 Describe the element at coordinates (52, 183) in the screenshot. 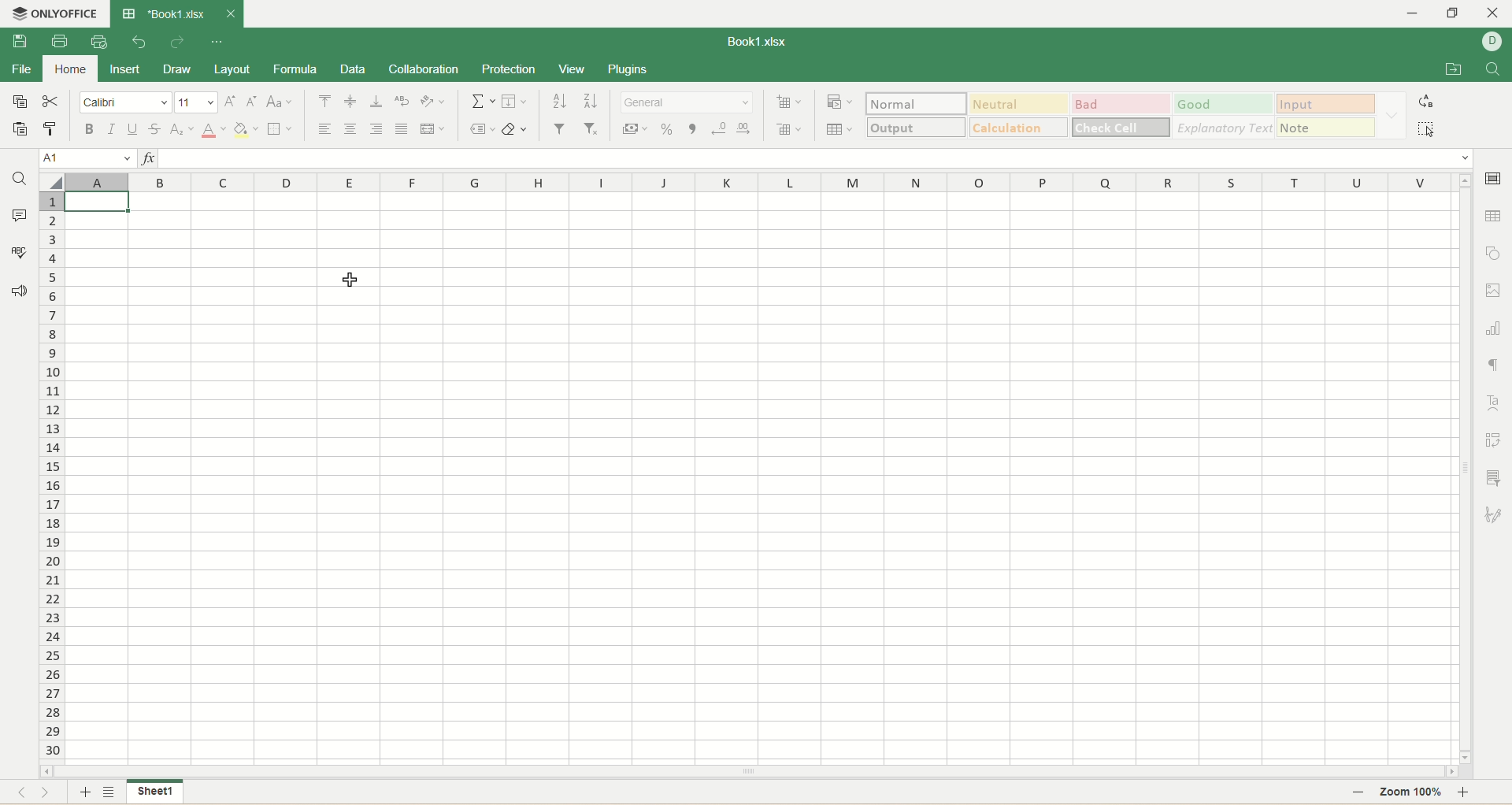

I see `select all` at that location.